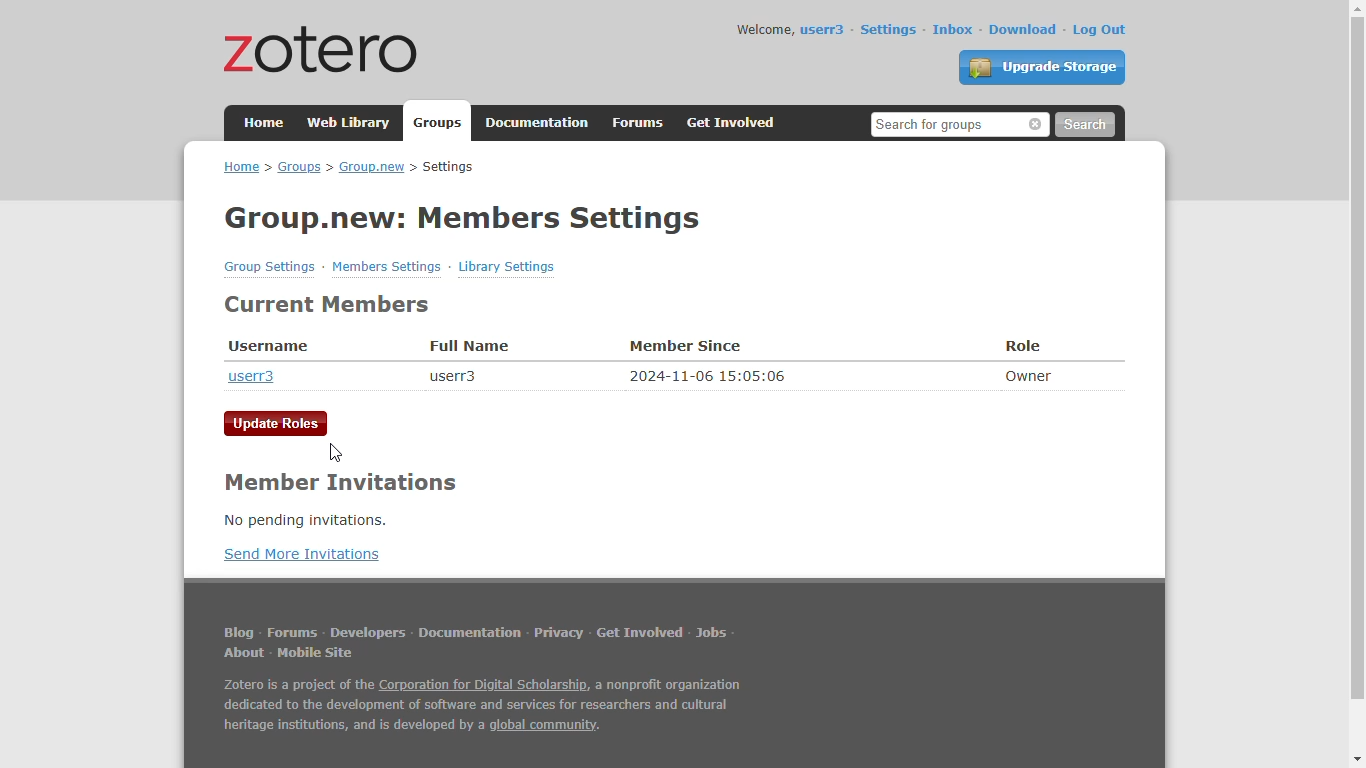 This screenshot has height=768, width=1366. Describe the element at coordinates (888, 29) in the screenshot. I see `settings` at that location.